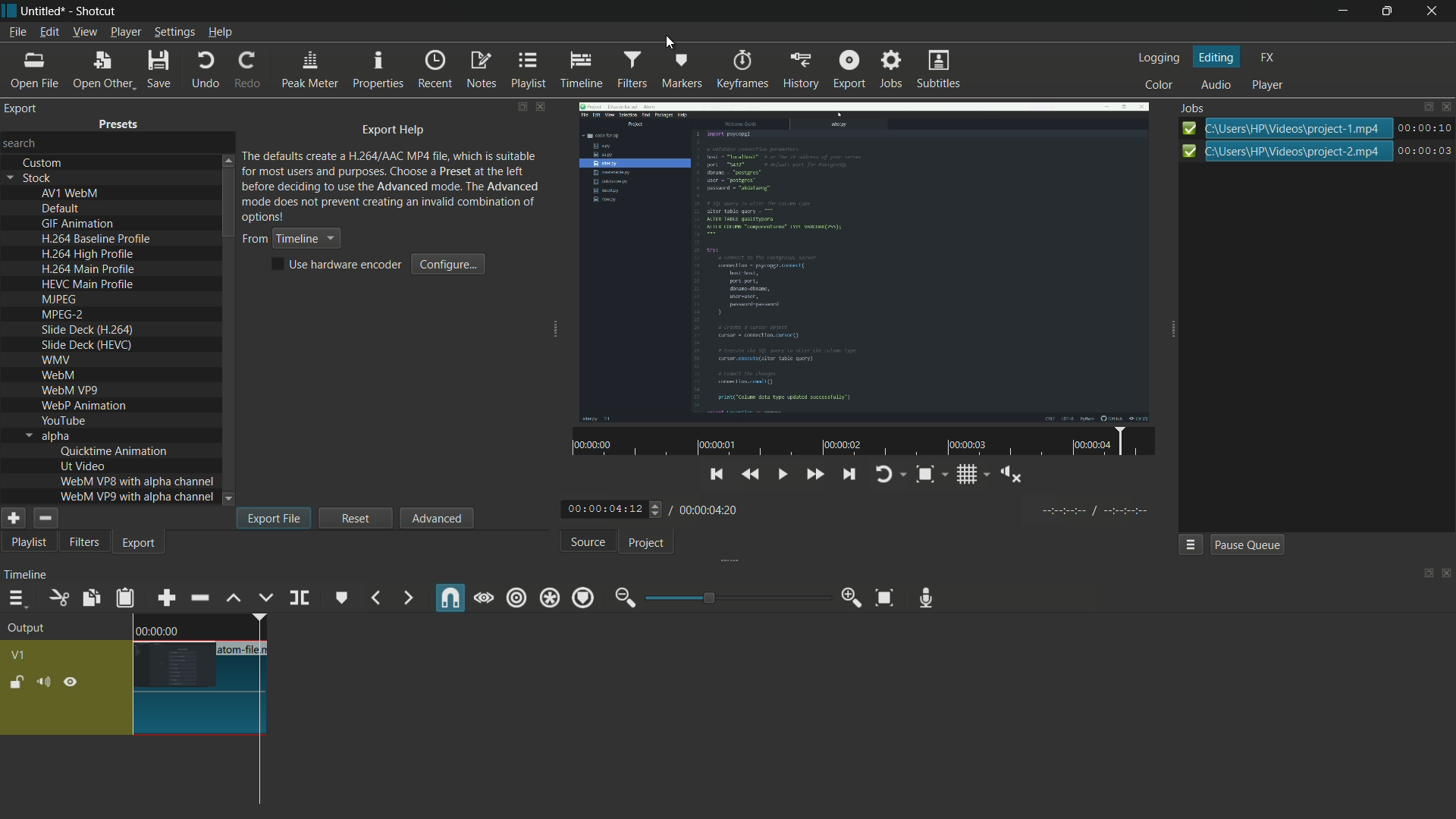 This screenshot has width=1456, height=819. Describe the element at coordinates (394, 131) in the screenshot. I see `export help` at that location.